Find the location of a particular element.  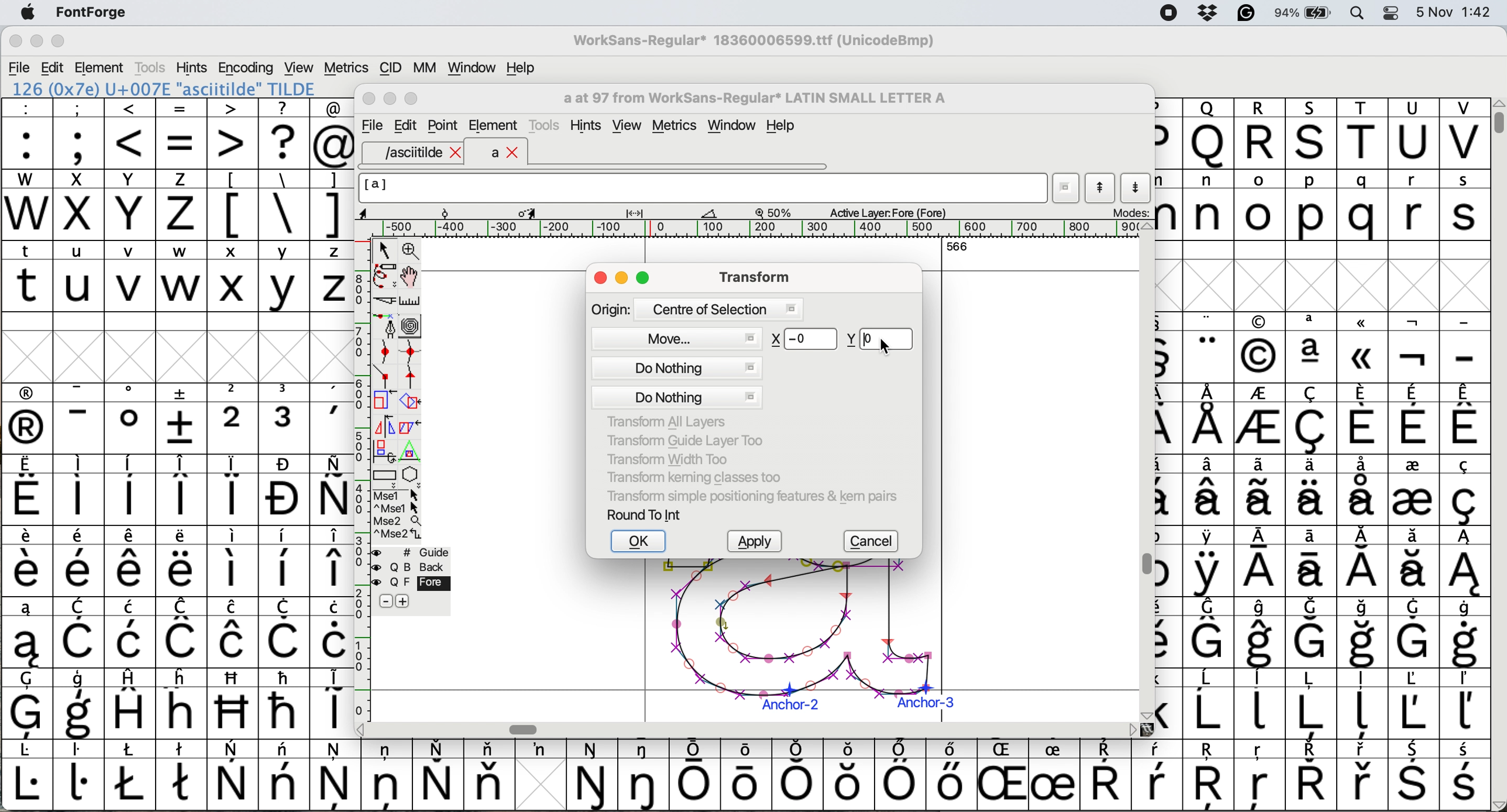

symbol is located at coordinates (1105, 776).